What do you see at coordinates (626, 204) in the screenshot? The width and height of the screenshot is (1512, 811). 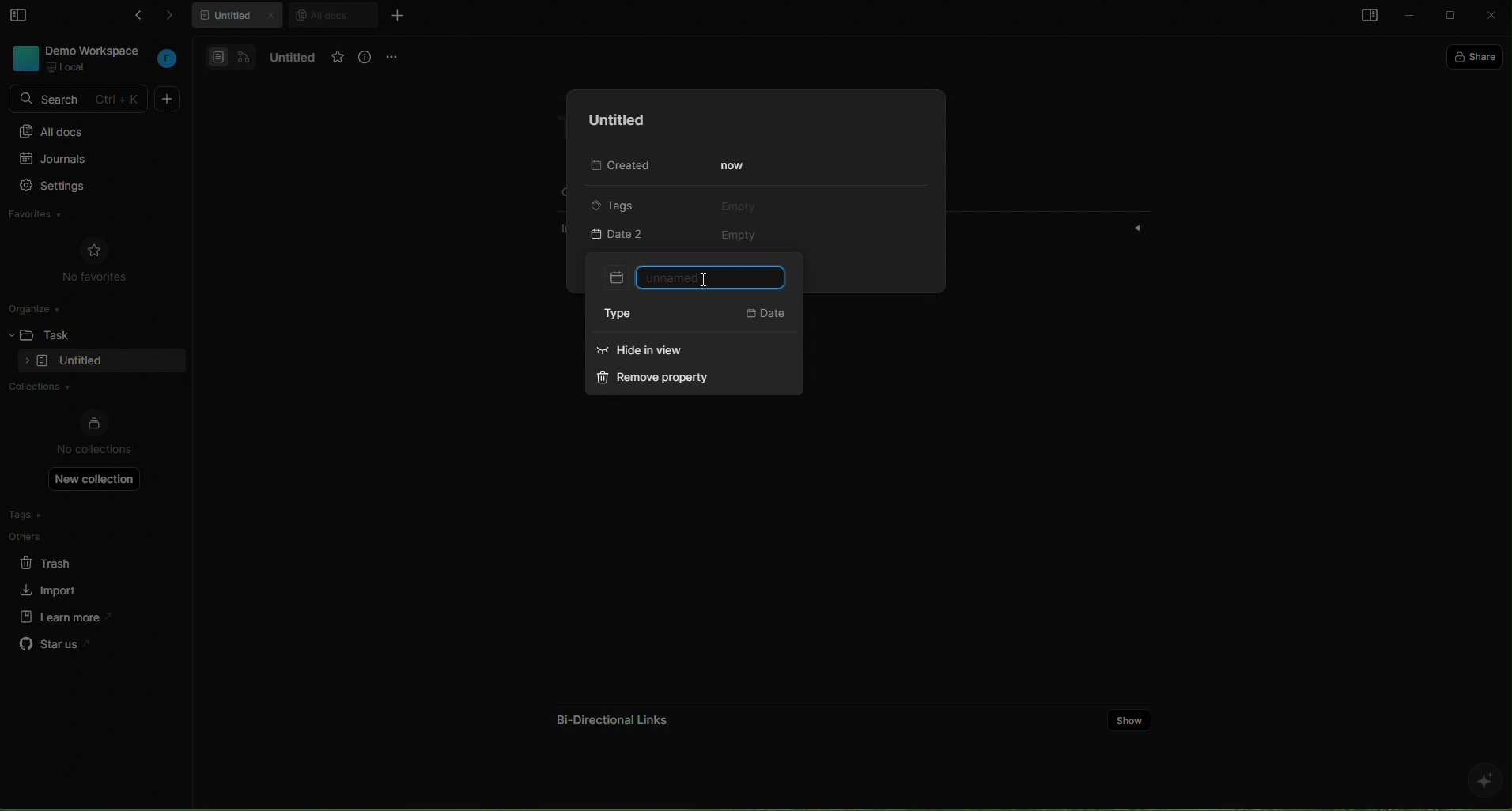 I see `tags` at bounding box center [626, 204].